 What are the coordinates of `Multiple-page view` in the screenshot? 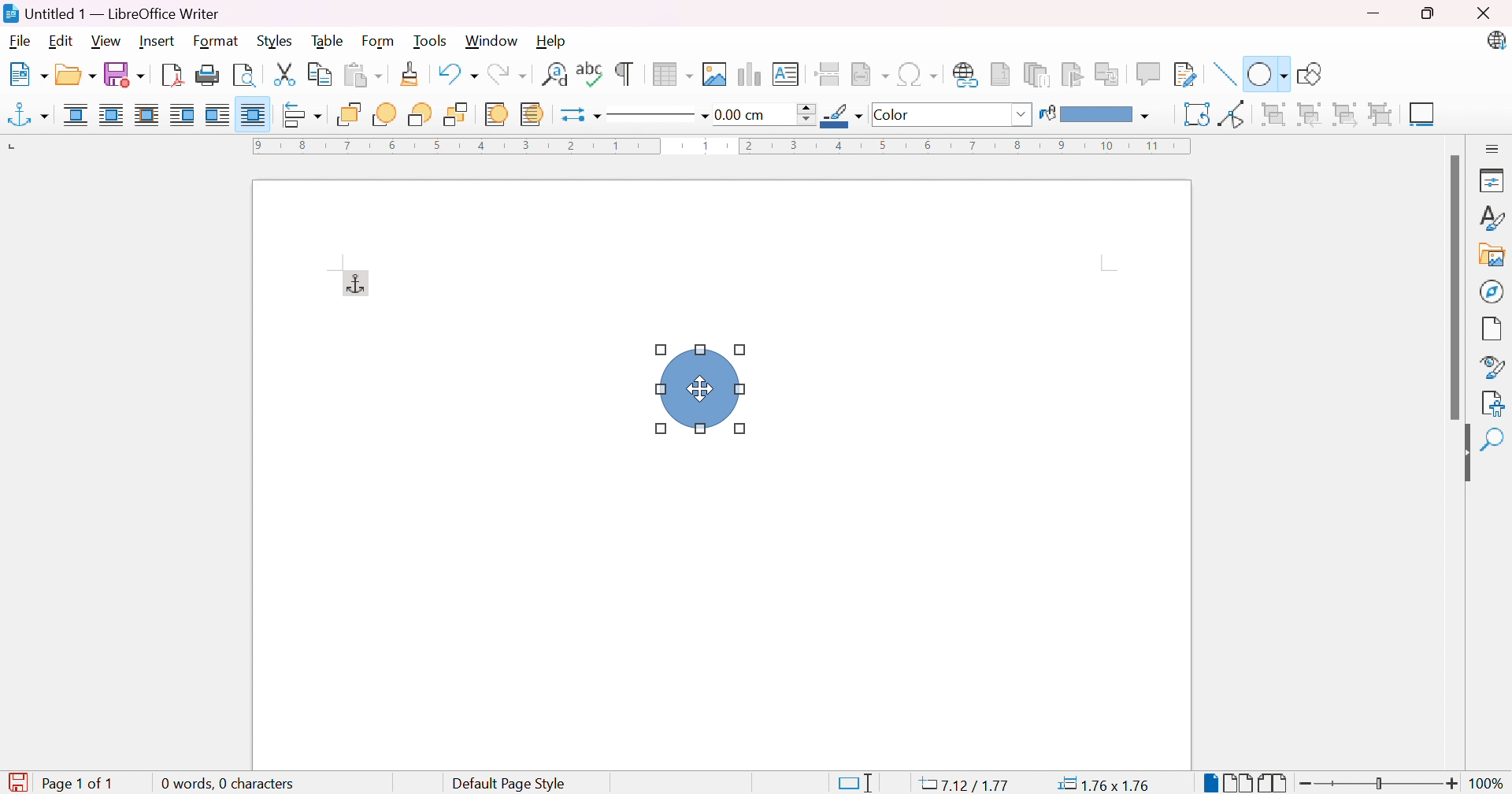 It's located at (1239, 783).